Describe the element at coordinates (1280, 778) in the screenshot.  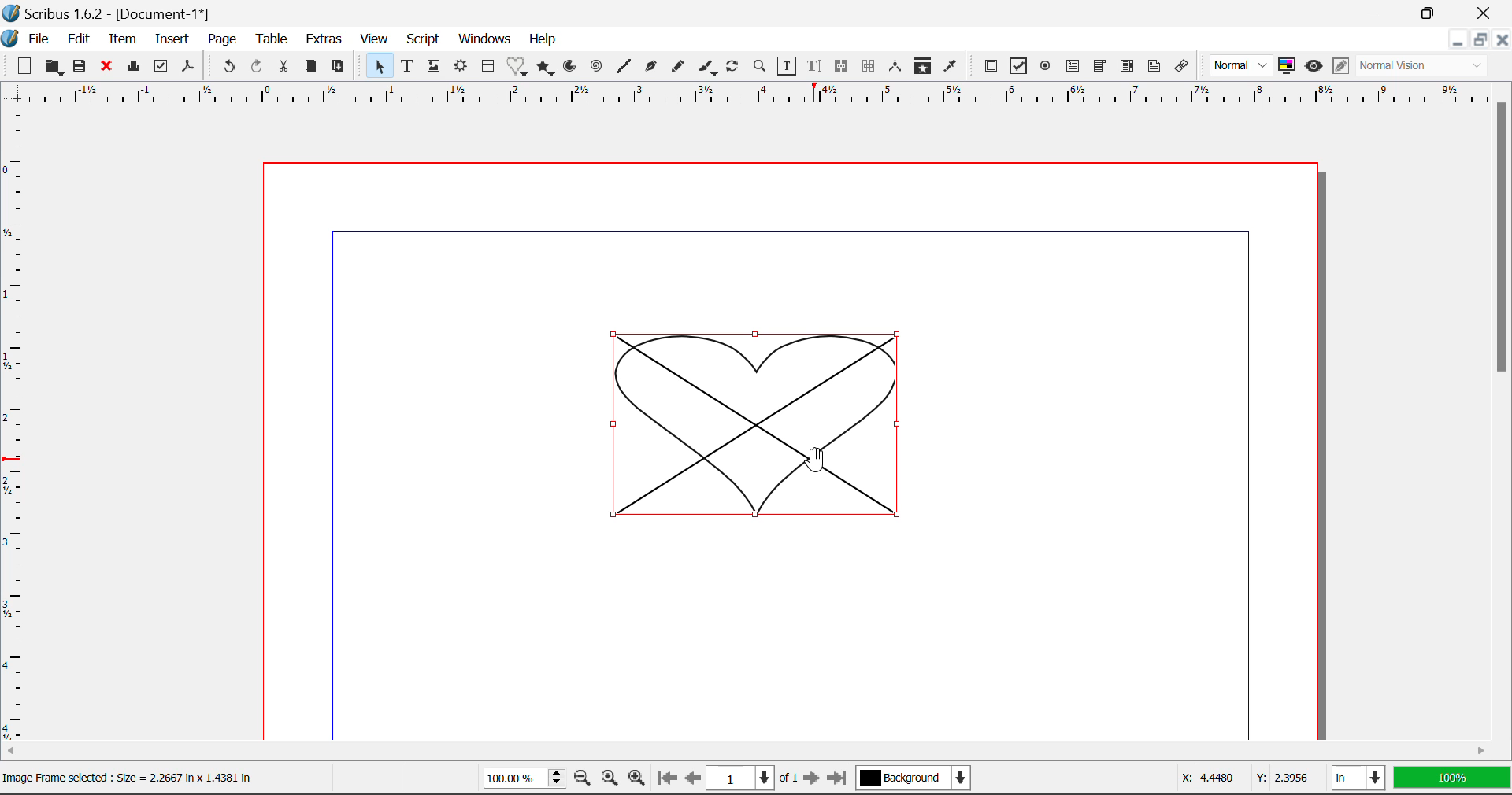
I see `Y: 2.395` at that location.